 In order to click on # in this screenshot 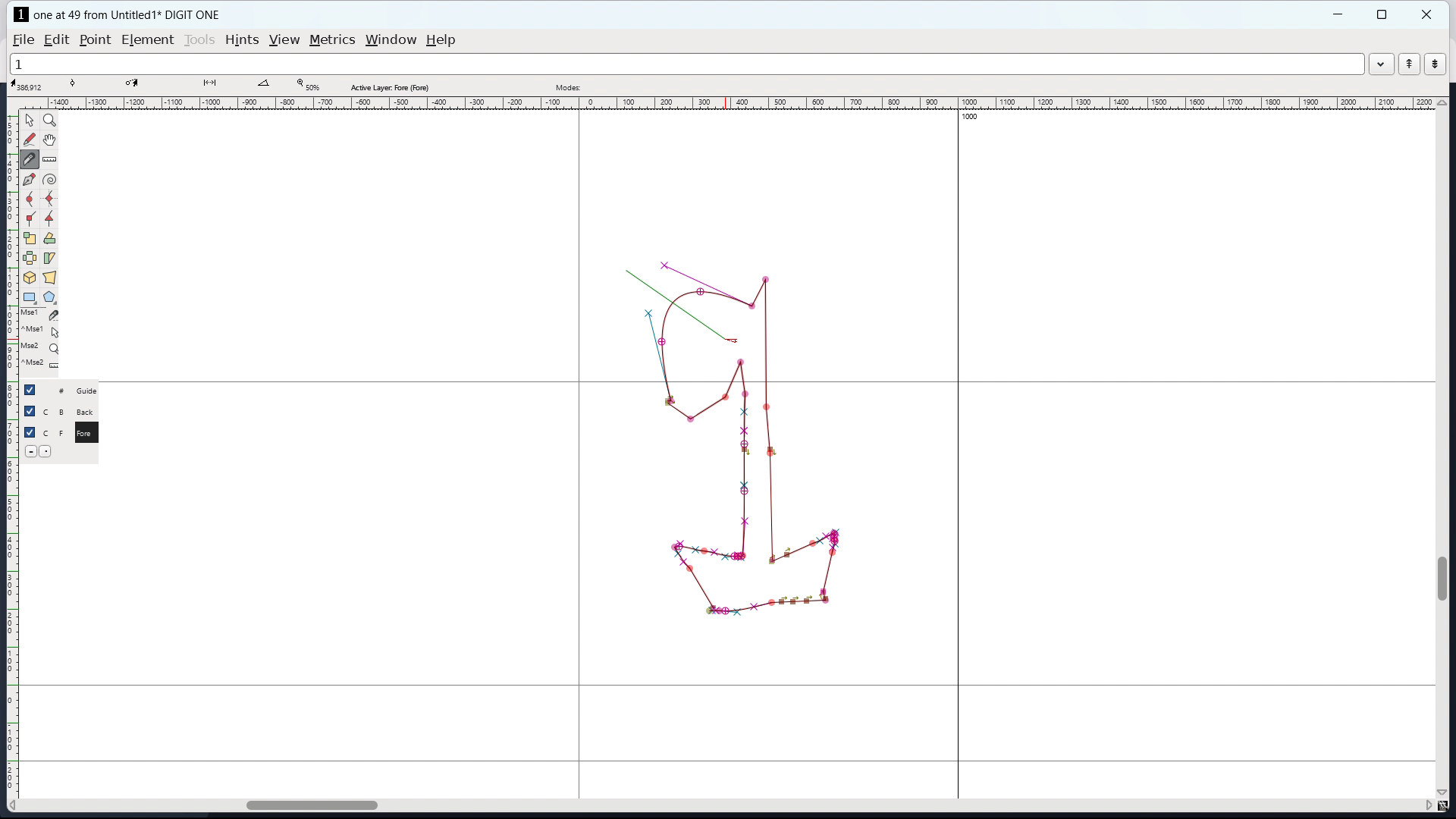, I will do `click(55, 391)`.